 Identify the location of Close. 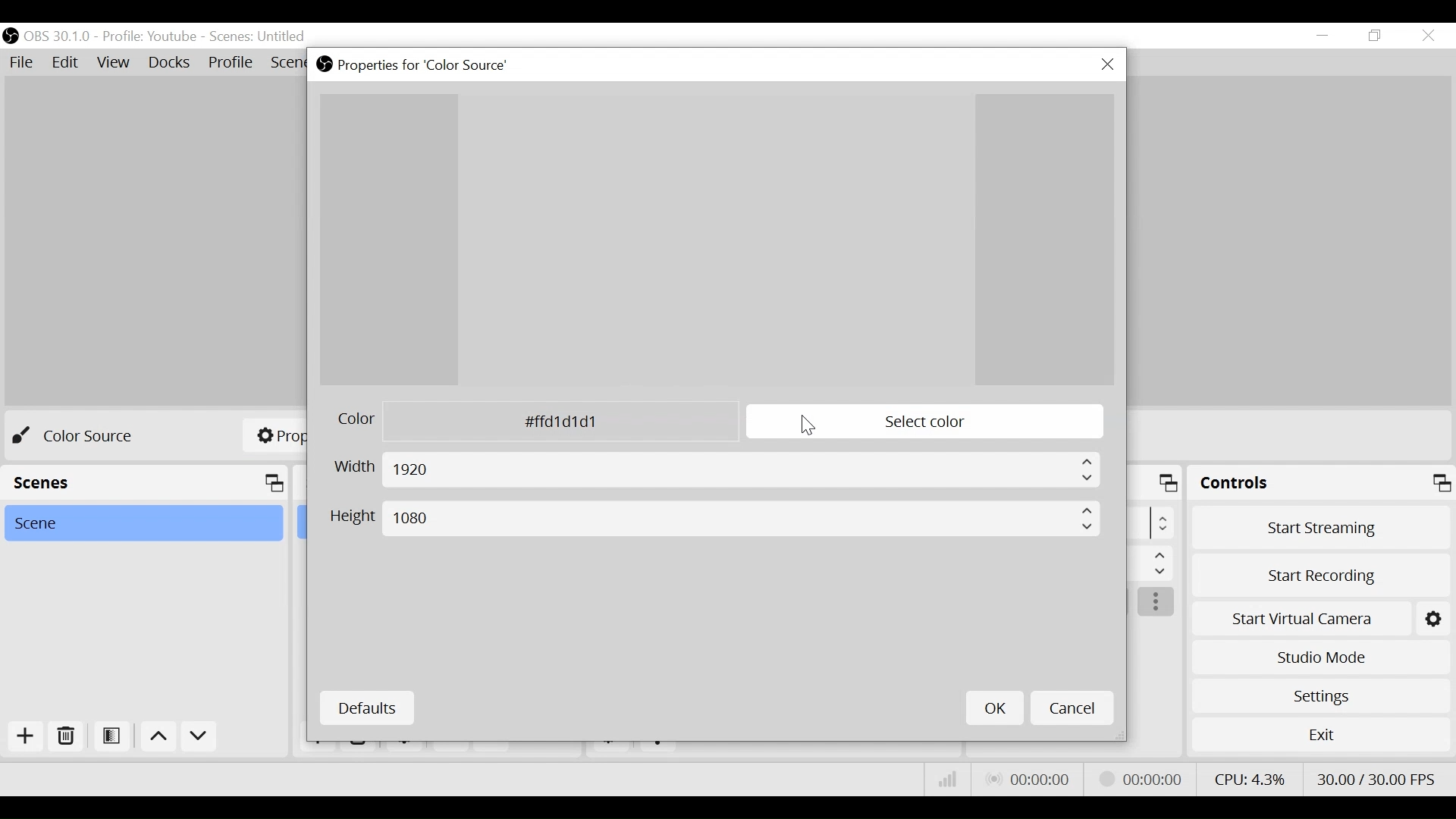
(1108, 66).